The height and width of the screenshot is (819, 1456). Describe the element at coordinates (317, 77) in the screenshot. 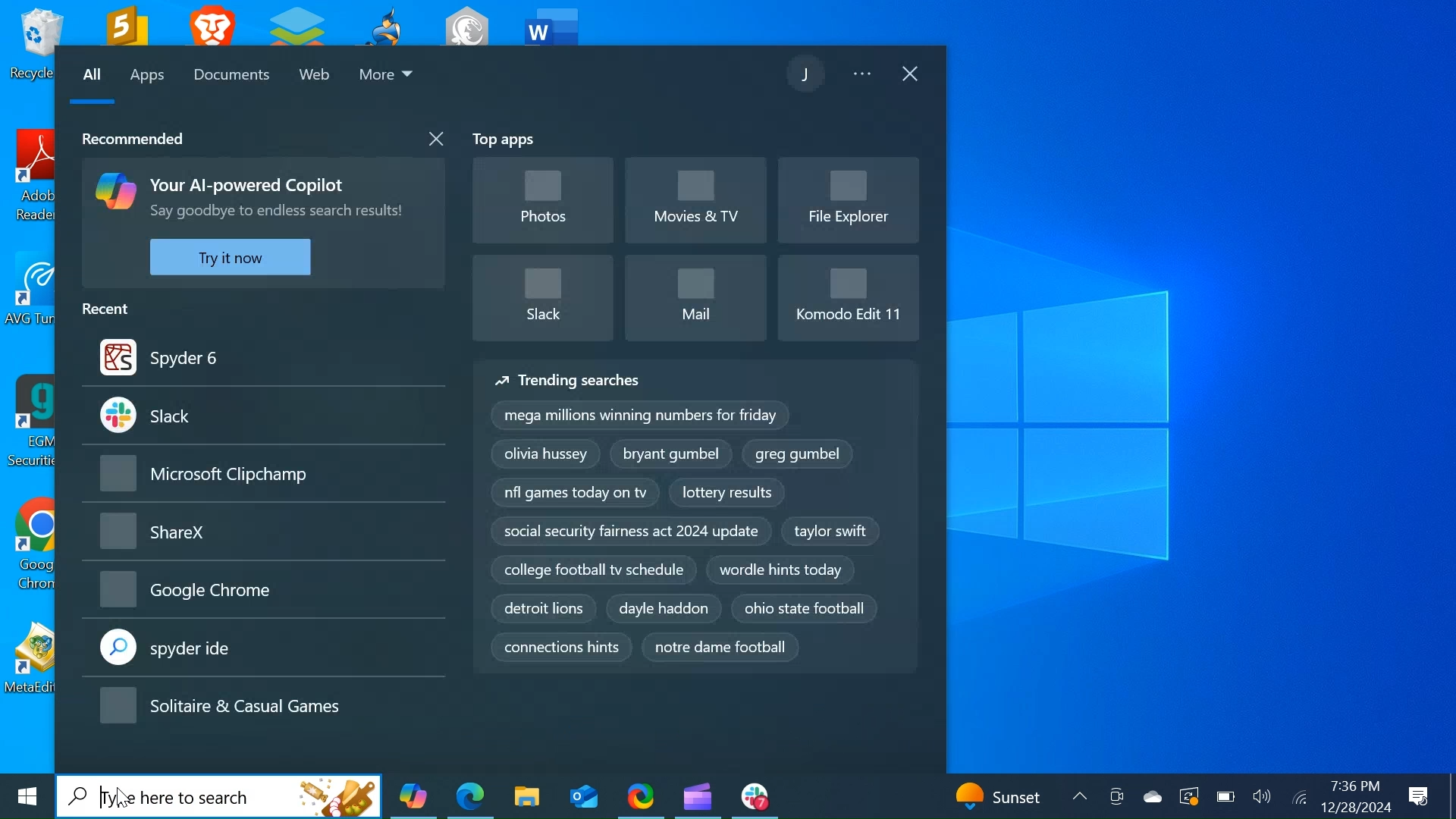

I see `Web` at that location.